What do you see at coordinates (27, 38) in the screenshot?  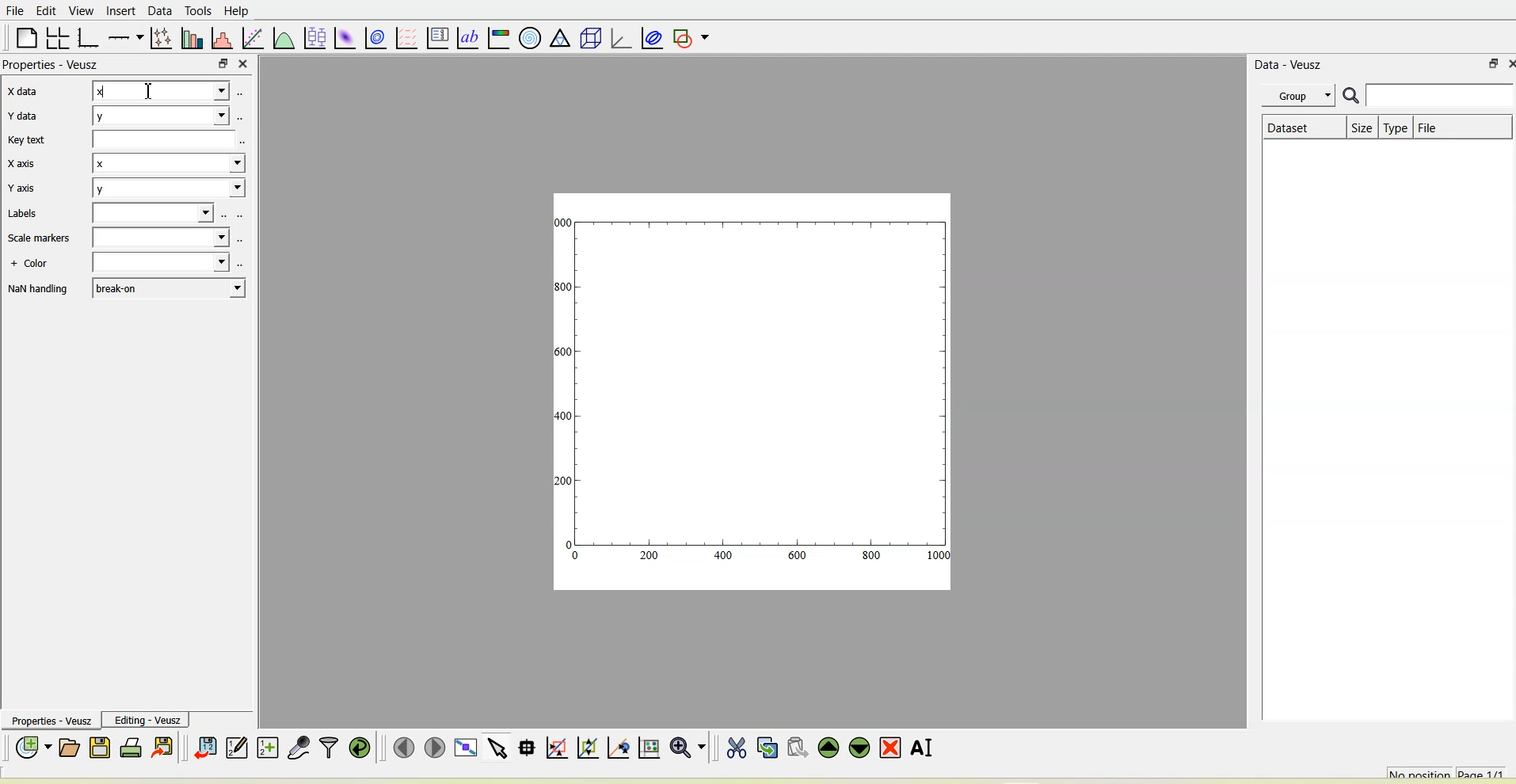 I see `Blank page` at bounding box center [27, 38].